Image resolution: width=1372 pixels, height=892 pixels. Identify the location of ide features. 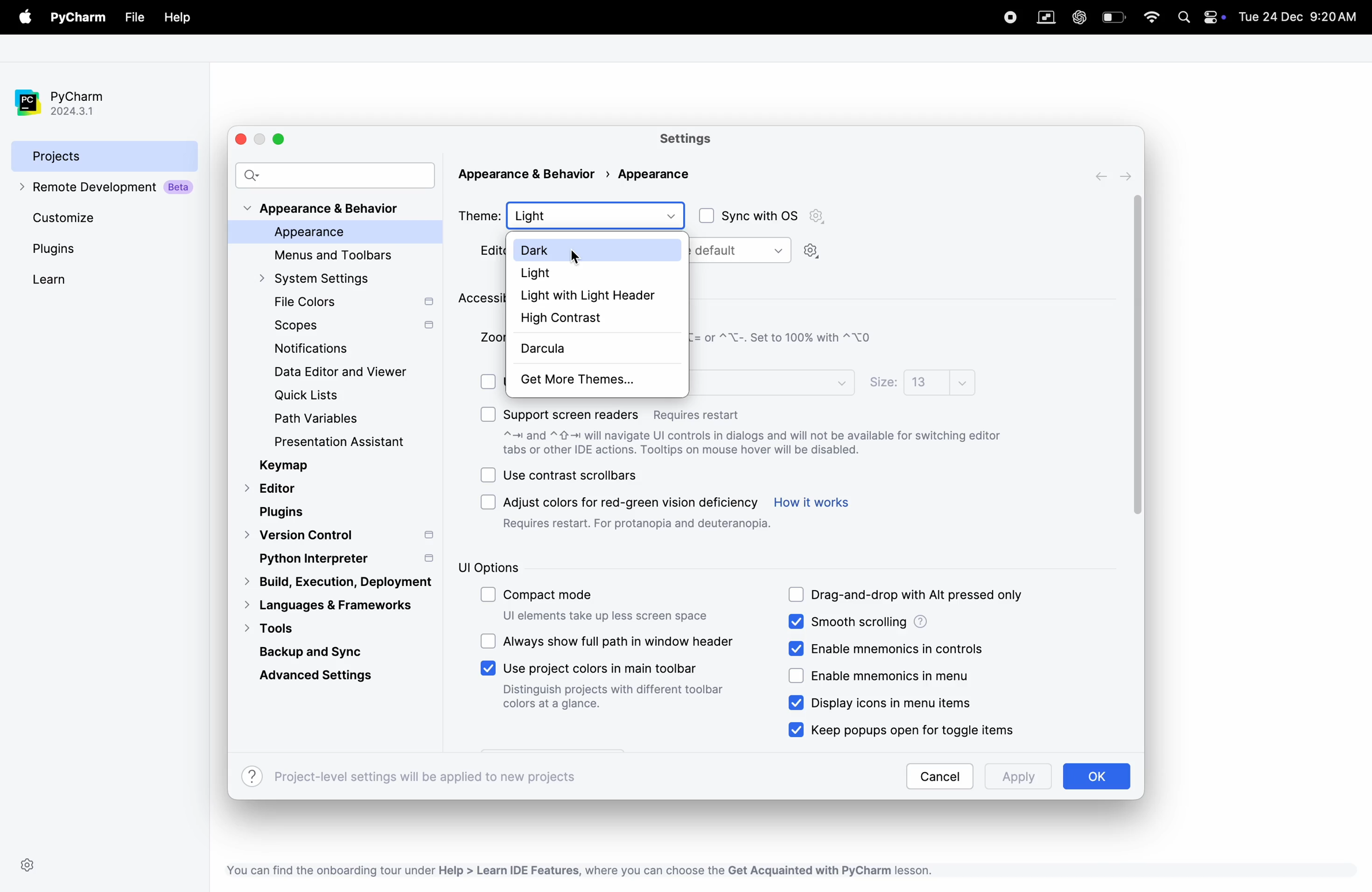
(576, 870).